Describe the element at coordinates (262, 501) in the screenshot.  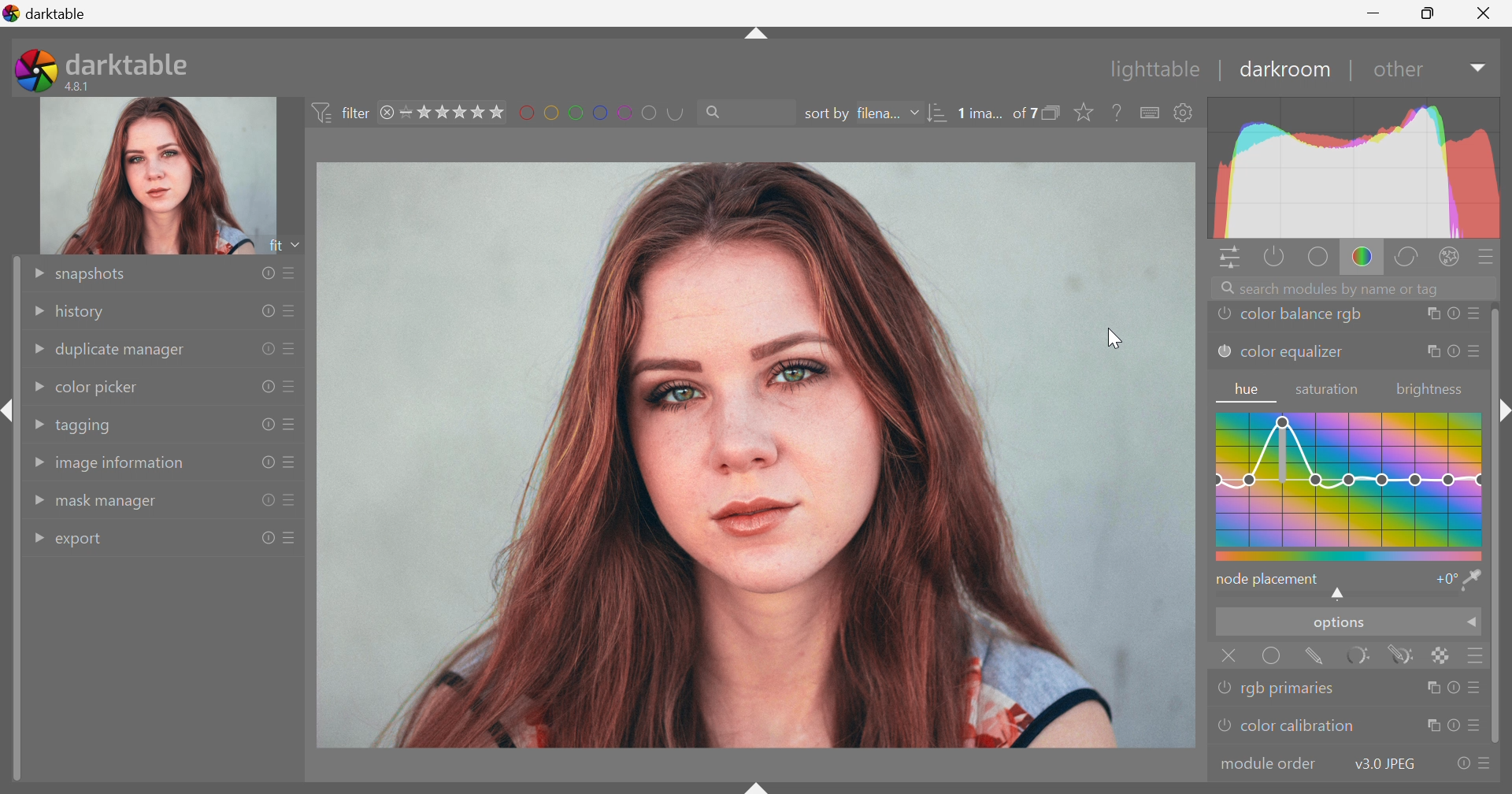
I see `reset` at that location.